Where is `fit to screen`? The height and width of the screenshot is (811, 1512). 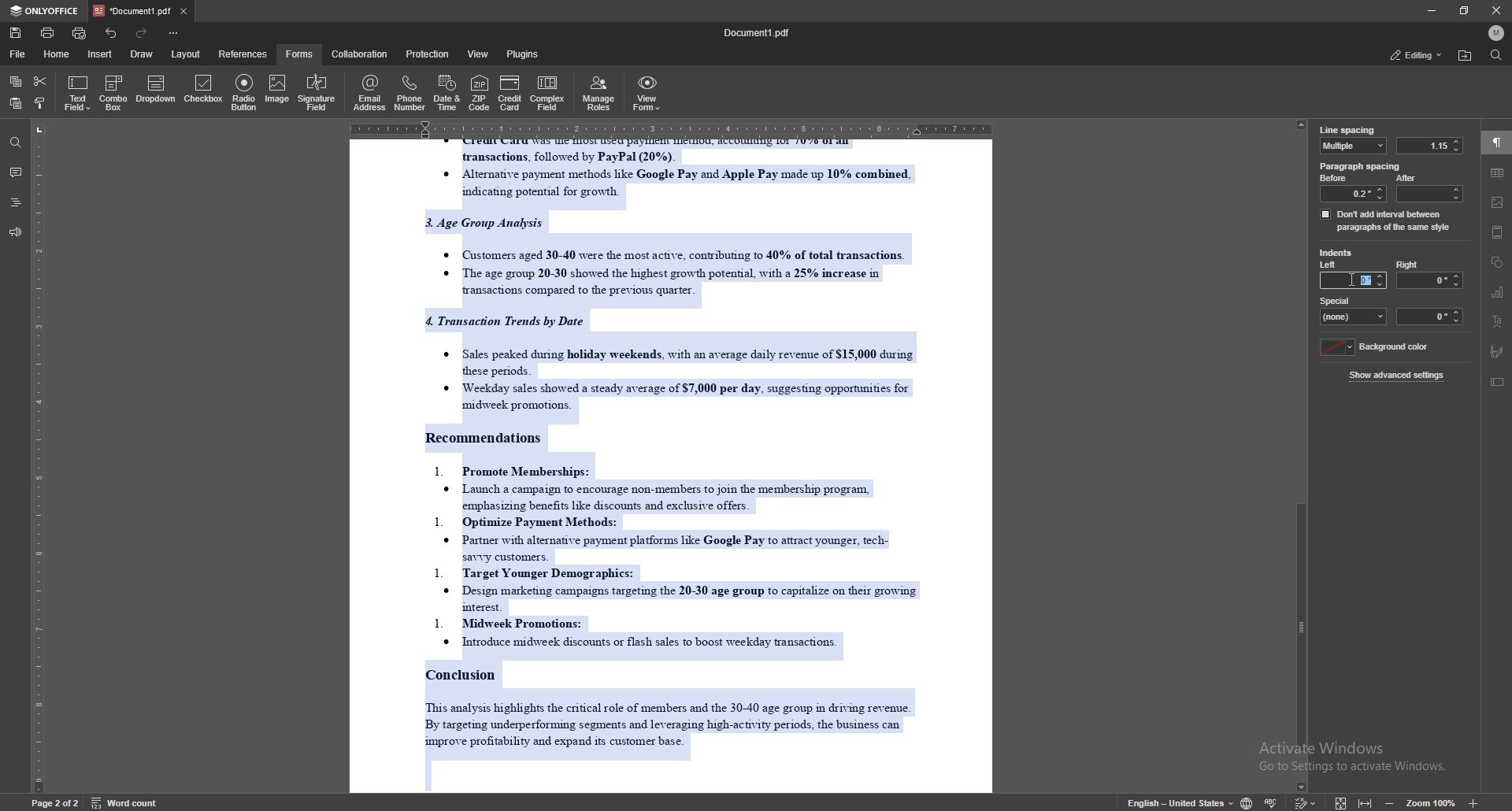
fit to screen is located at coordinates (1341, 802).